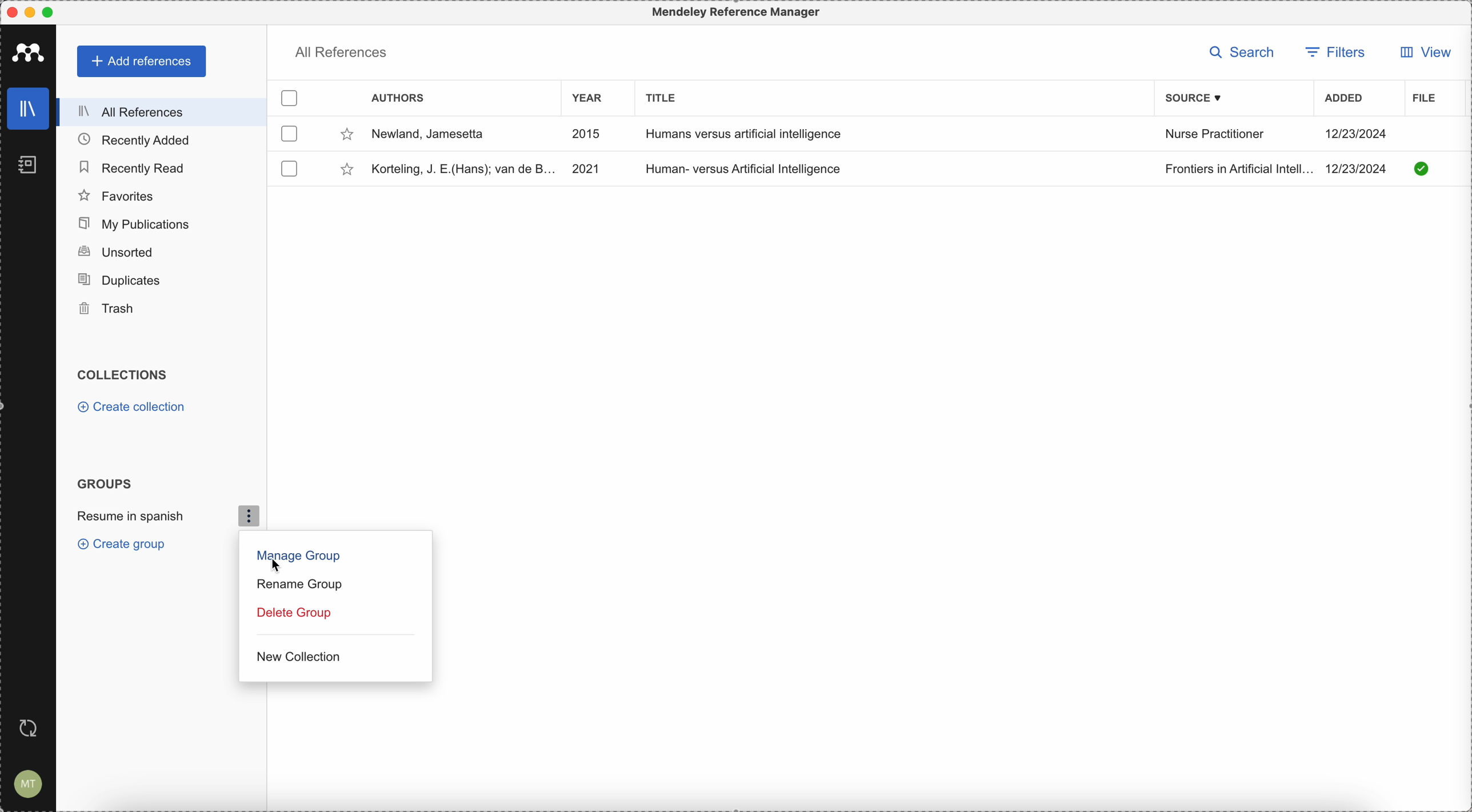 This screenshot has width=1472, height=812. I want to click on last sync, so click(30, 729).